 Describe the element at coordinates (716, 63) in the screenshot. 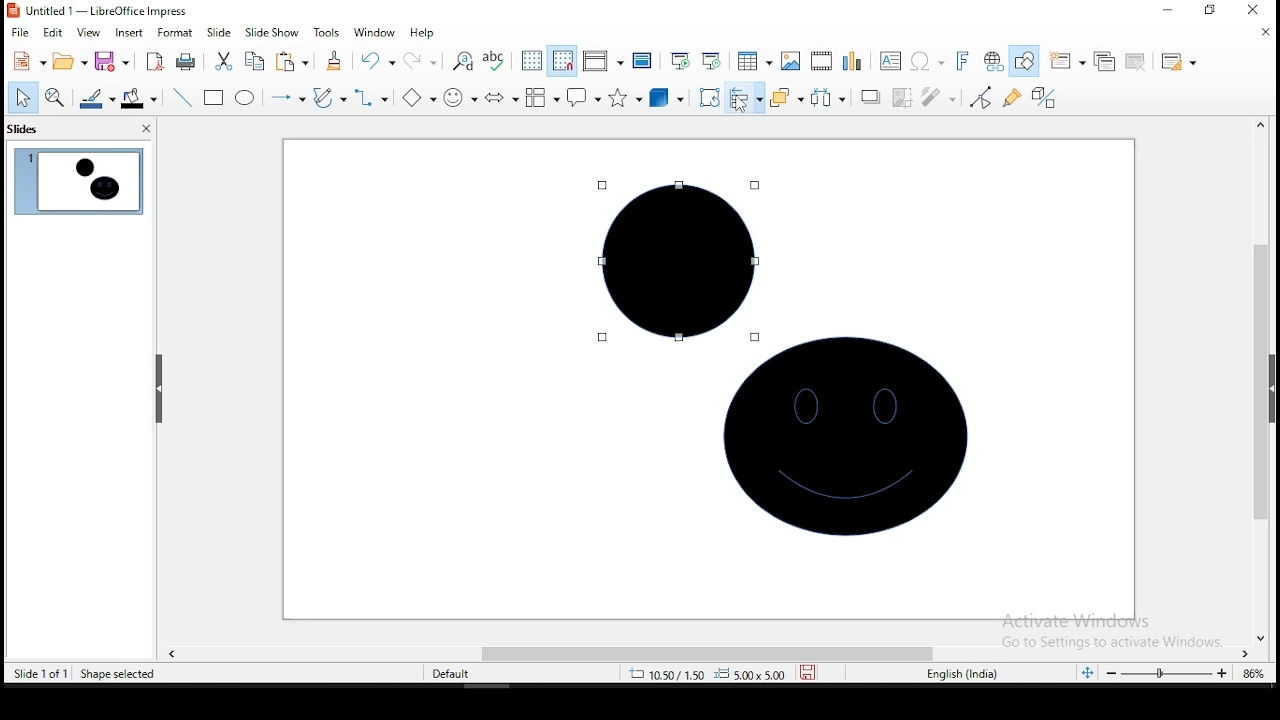

I see `start from current slide` at that location.